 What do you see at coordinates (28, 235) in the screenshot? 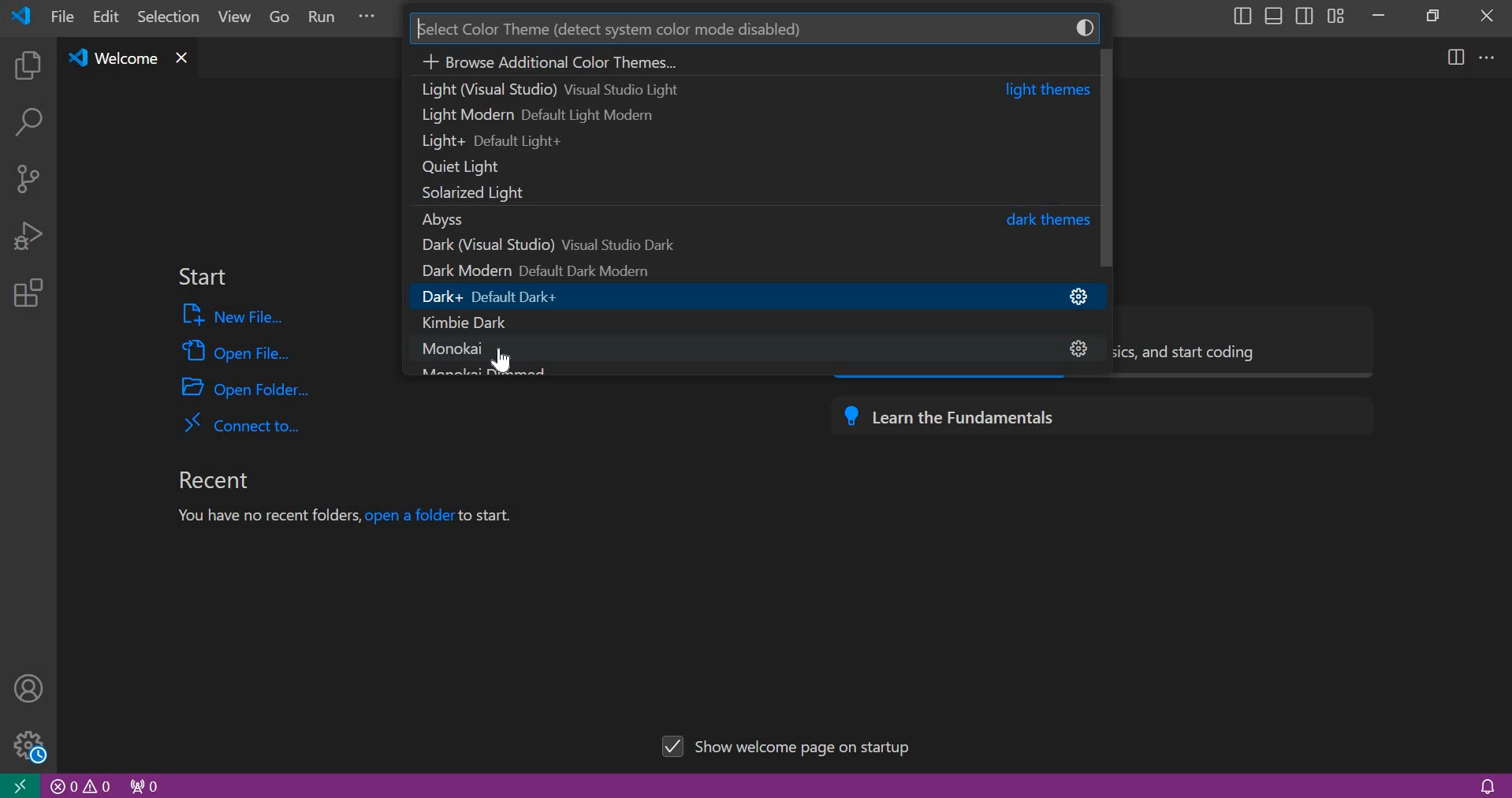
I see `run and debug` at bounding box center [28, 235].